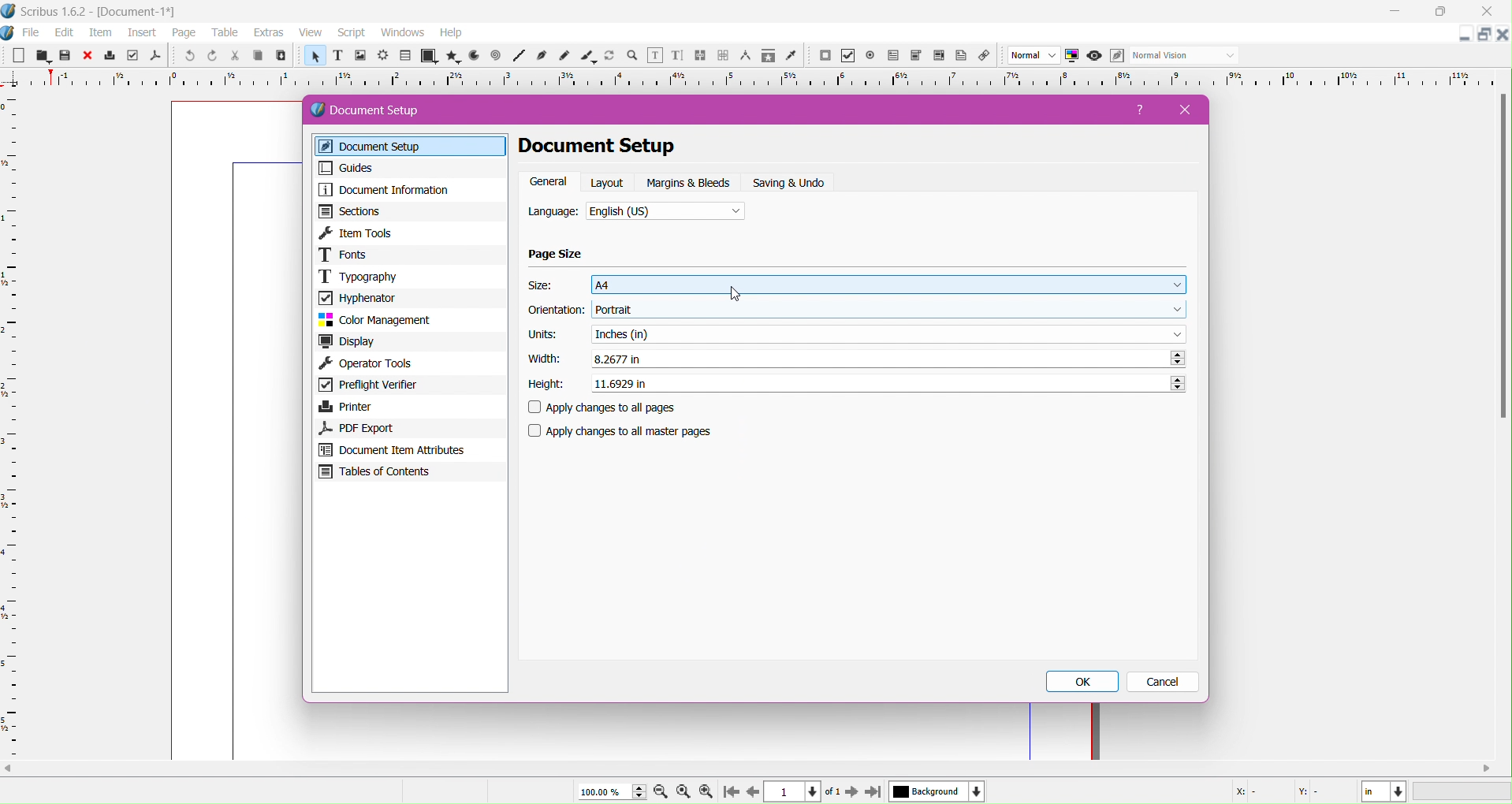 This screenshot has width=1512, height=804. Describe the element at coordinates (889, 284) in the screenshot. I see `Select the size` at that location.